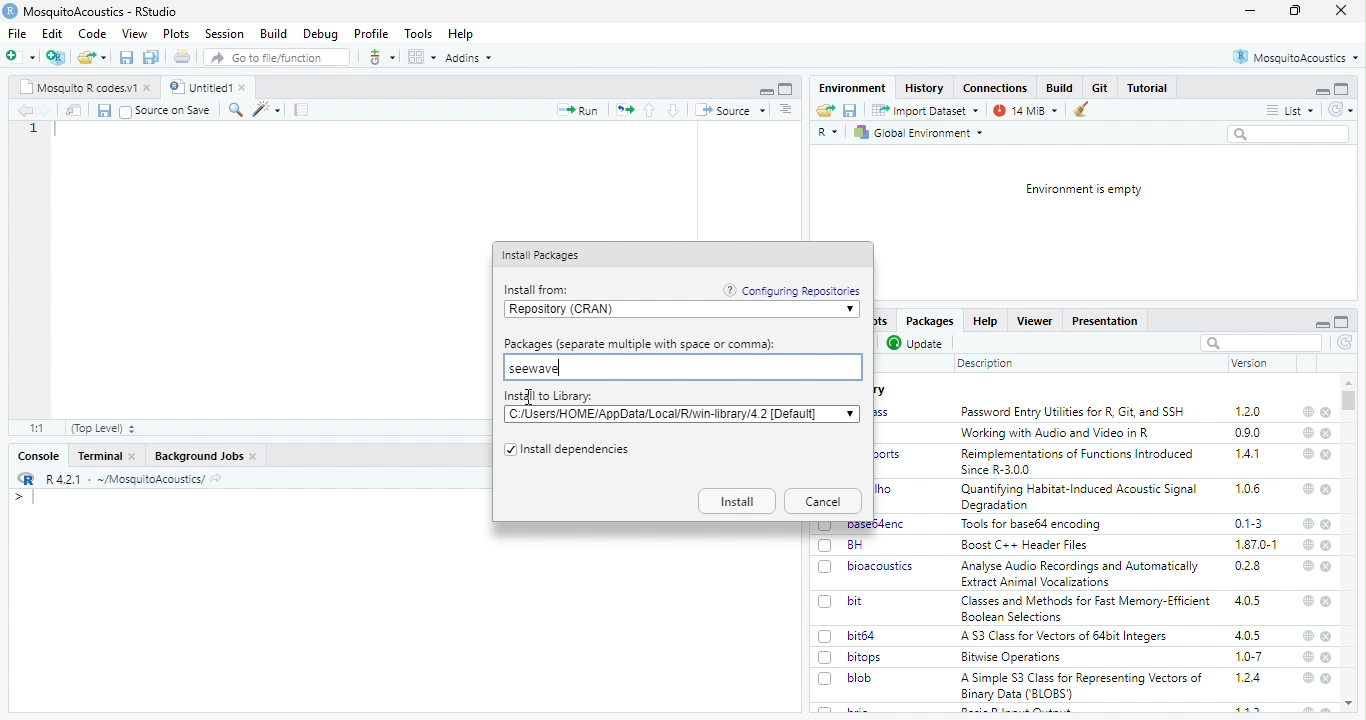 Image resolution: width=1366 pixels, height=720 pixels. Describe the element at coordinates (1059, 433) in the screenshot. I see `‘Working with Audio and Video in R` at that location.